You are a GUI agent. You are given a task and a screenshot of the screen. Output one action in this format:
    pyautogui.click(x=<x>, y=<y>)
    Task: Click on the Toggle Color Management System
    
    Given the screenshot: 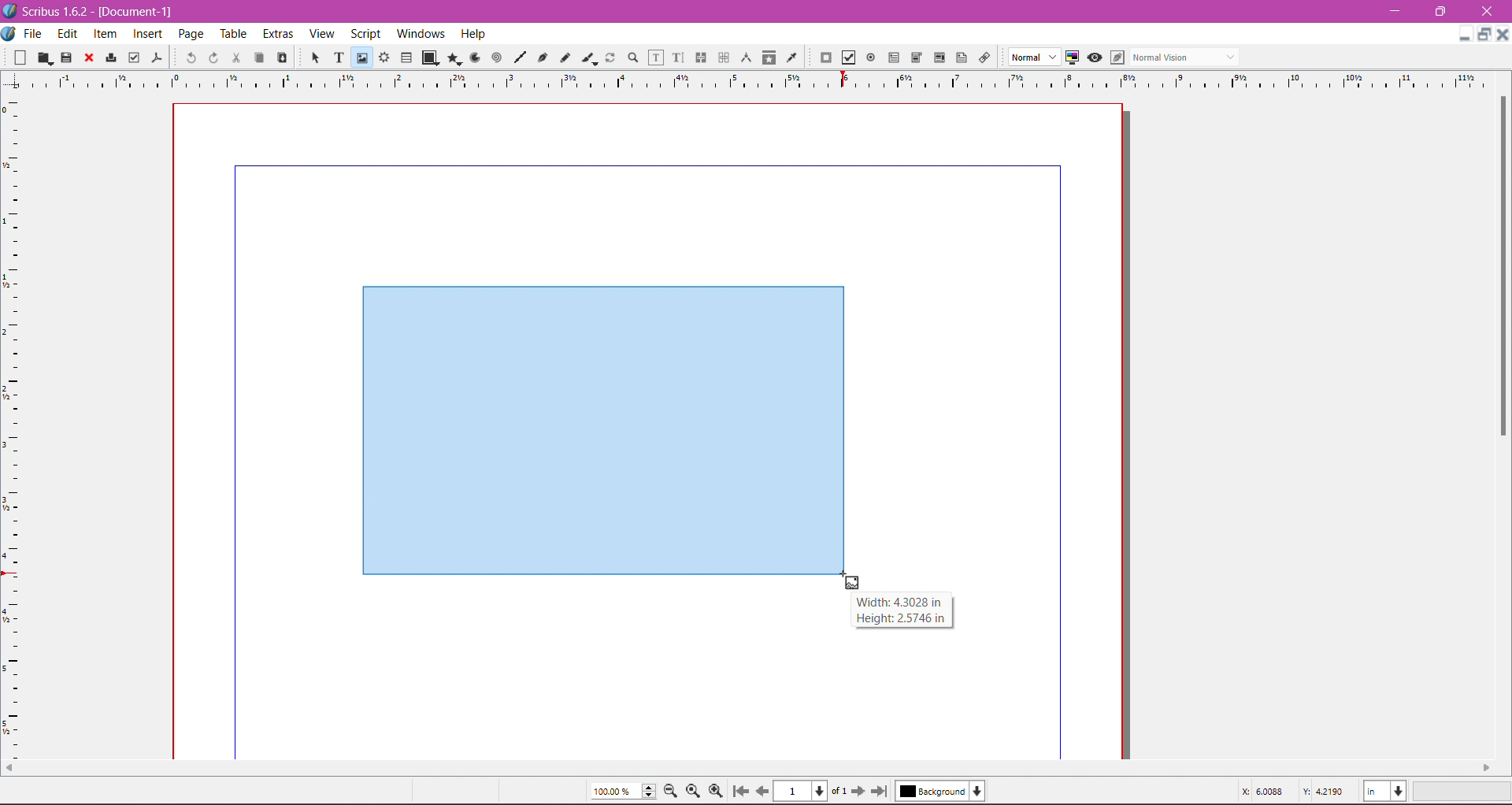 What is the action you would take?
    pyautogui.click(x=1072, y=57)
    